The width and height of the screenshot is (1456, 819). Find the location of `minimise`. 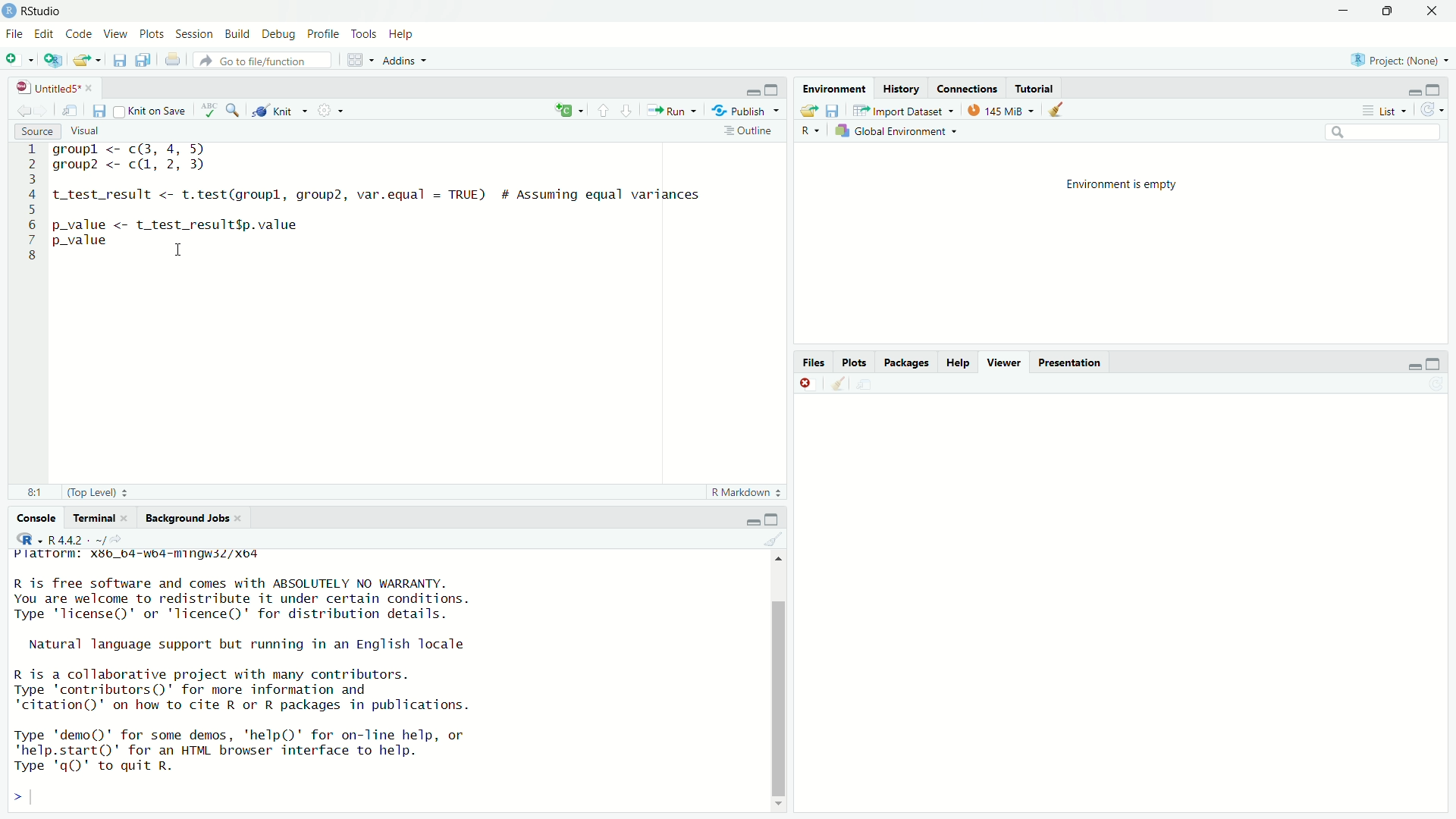

minimise is located at coordinates (1414, 365).